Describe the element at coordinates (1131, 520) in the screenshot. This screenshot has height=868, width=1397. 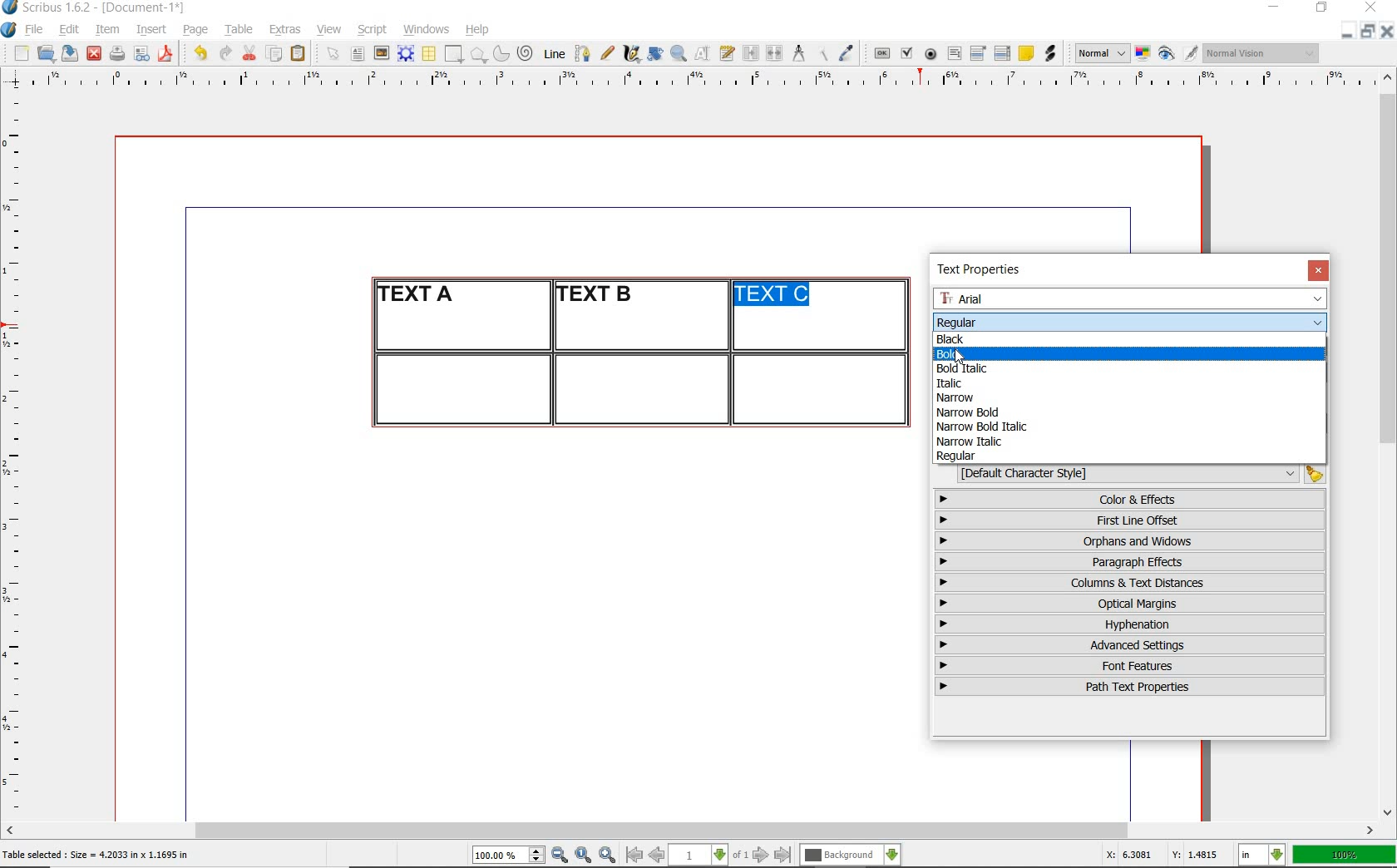
I see `first line offset` at that location.